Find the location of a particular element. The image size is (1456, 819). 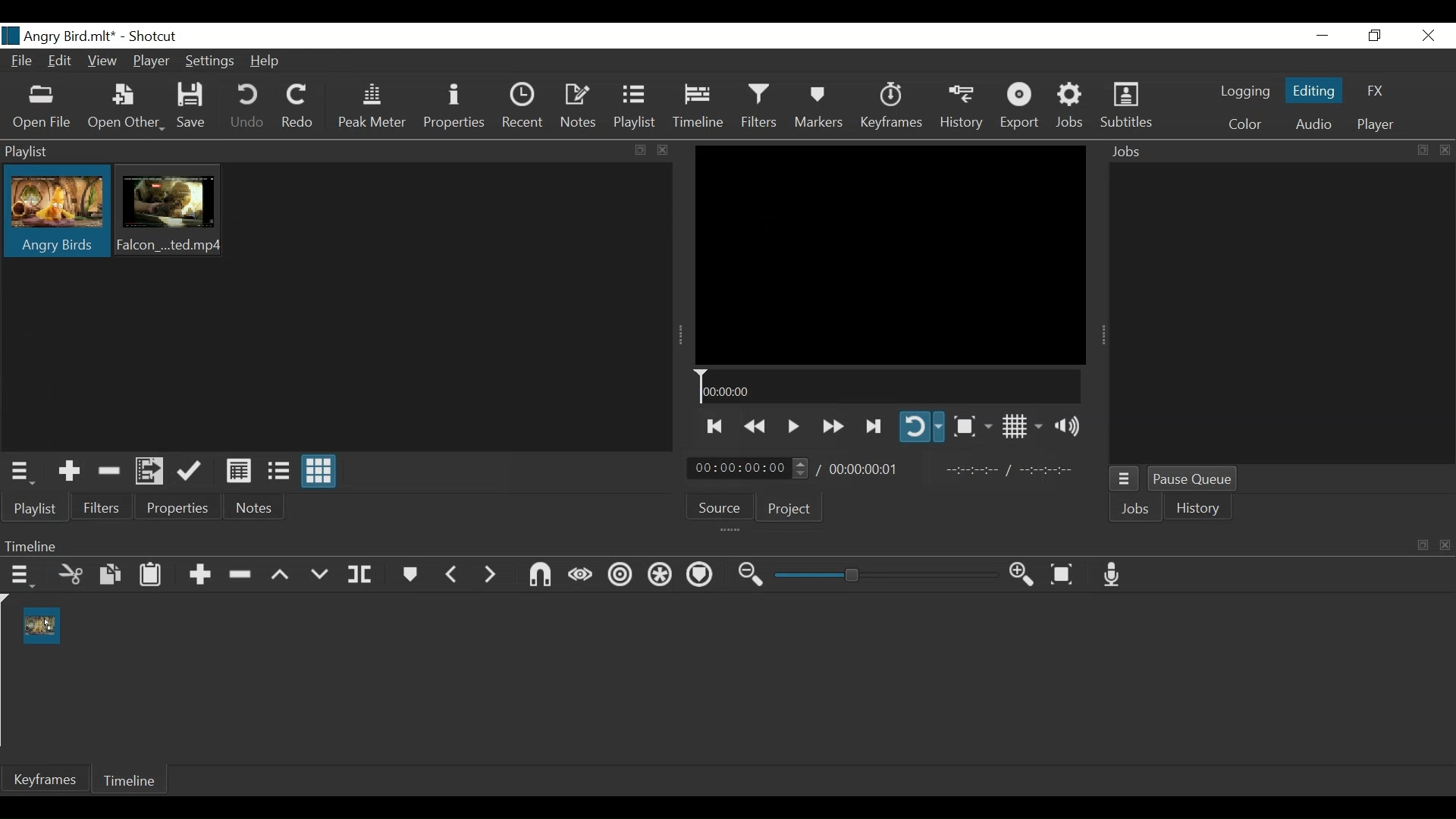

Ripple all tracks is located at coordinates (659, 576).